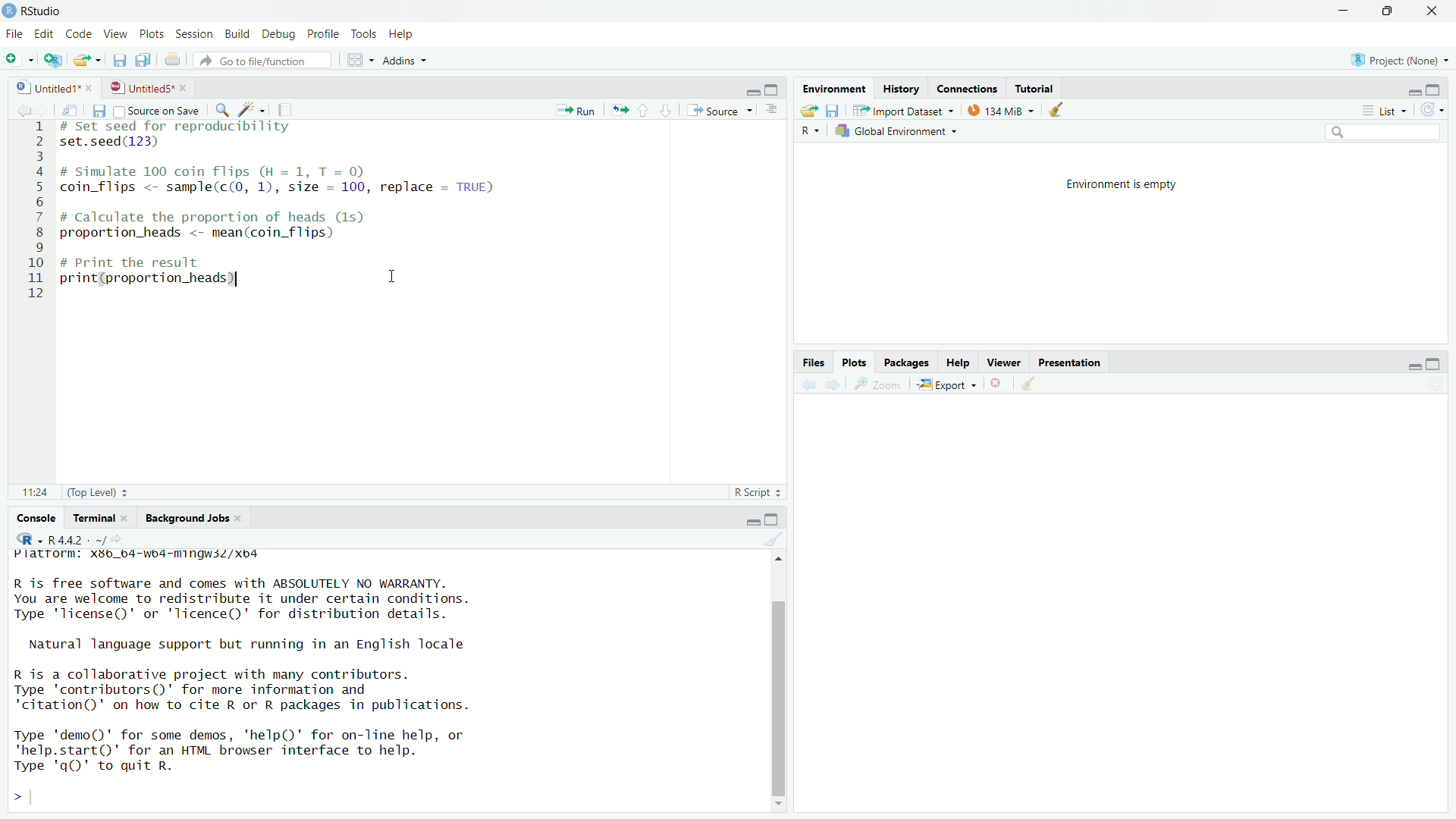 This screenshot has height=819, width=1456. I want to click on load workspace, so click(808, 111).